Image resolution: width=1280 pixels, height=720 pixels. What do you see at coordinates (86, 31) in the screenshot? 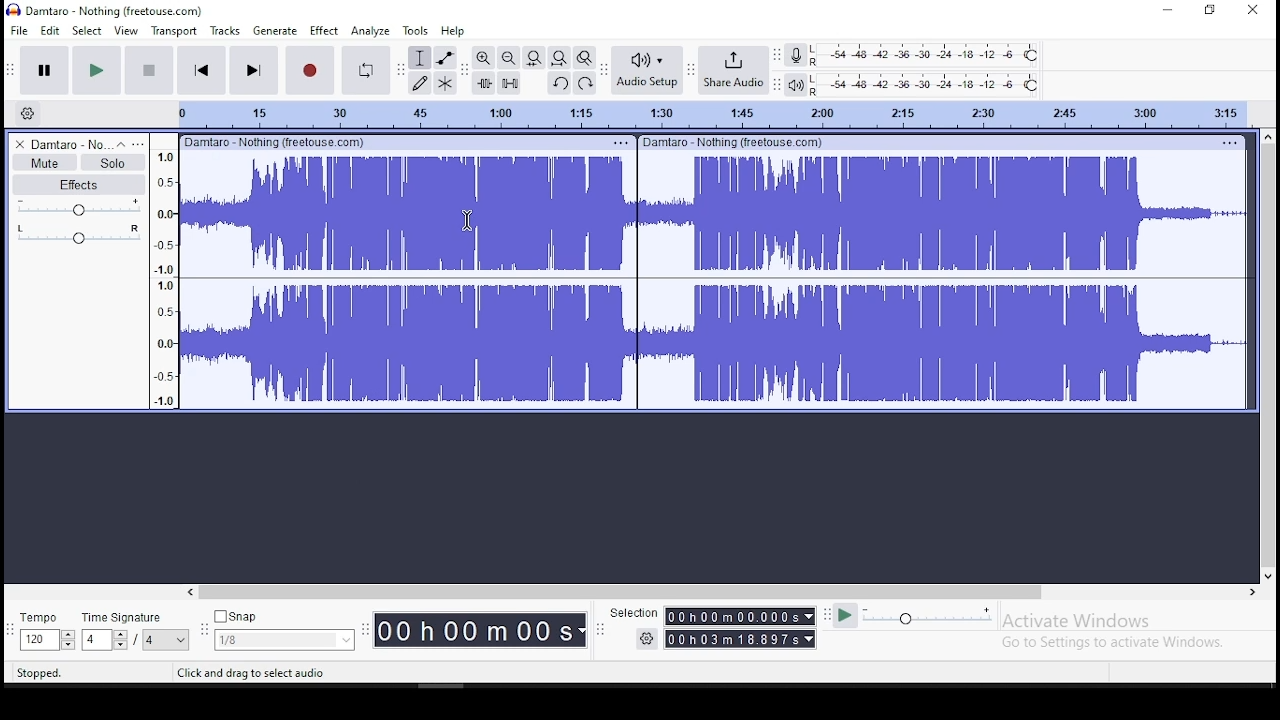
I see `select` at bounding box center [86, 31].